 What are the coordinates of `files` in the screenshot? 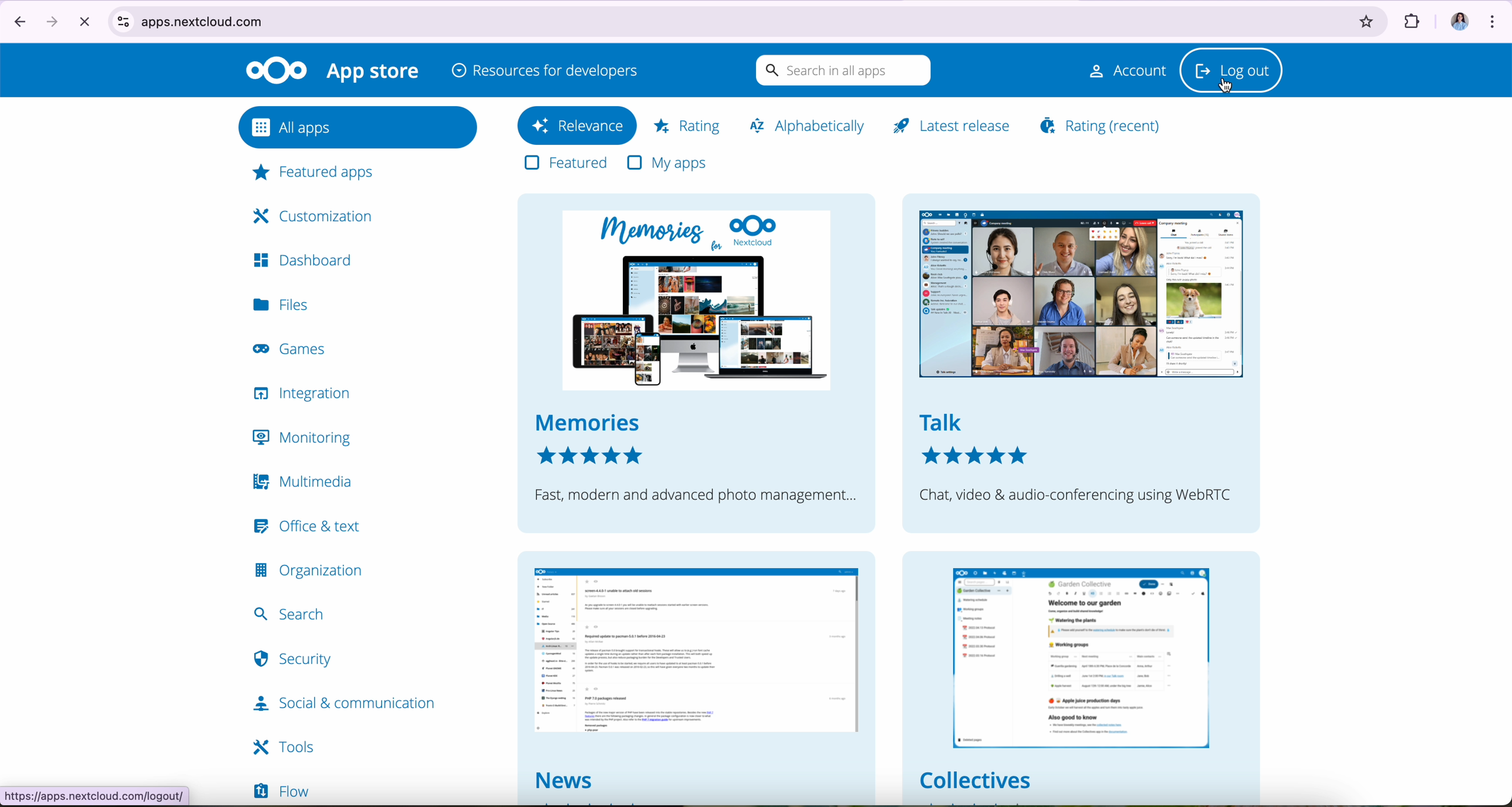 It's located at (278, 303).